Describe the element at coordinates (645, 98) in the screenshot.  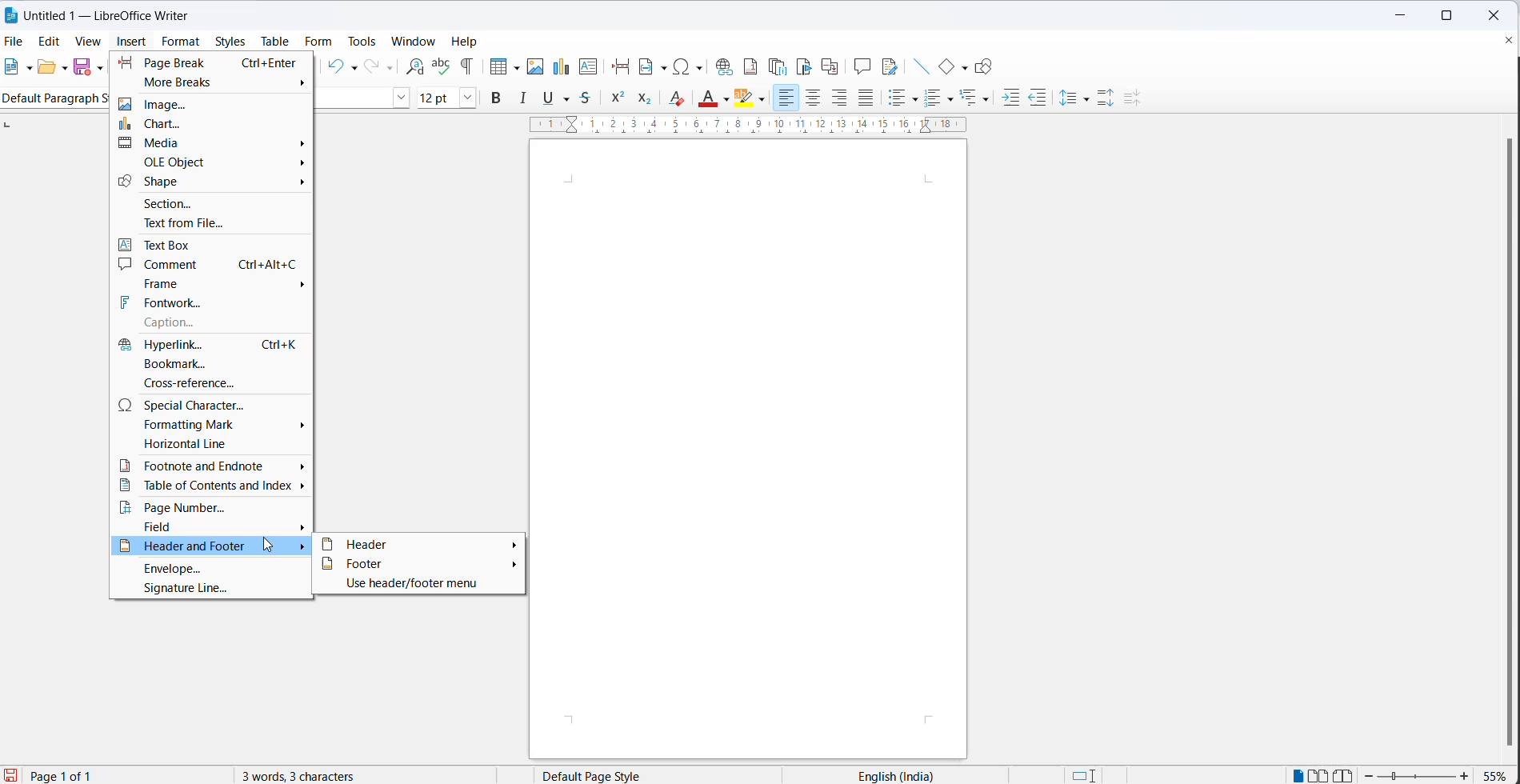
I see `subscript` at that location.